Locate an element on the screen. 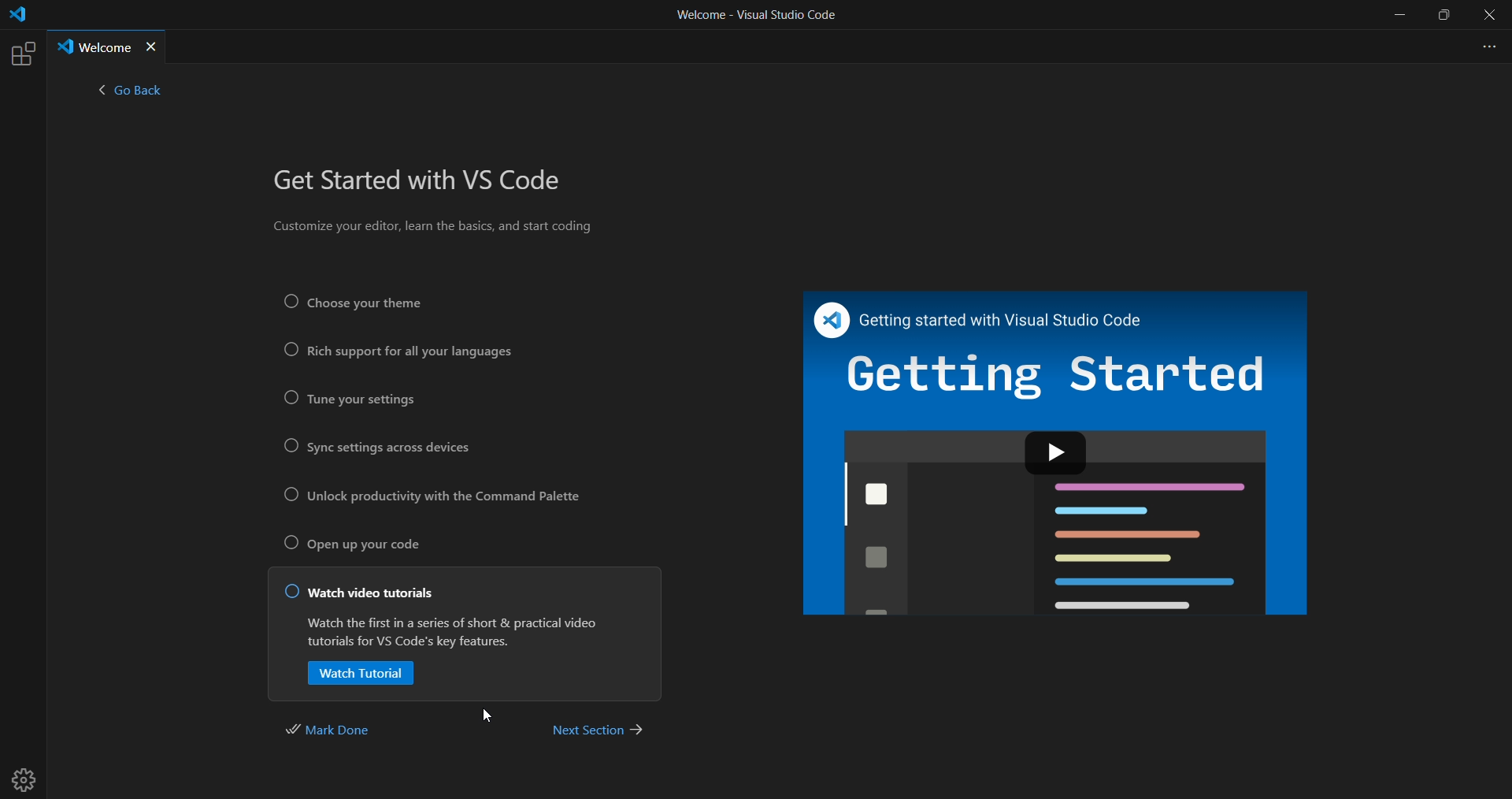 Image resolution: width=1512 pixels, height=799 pixels. extensions is located at coordinates (21, 54).